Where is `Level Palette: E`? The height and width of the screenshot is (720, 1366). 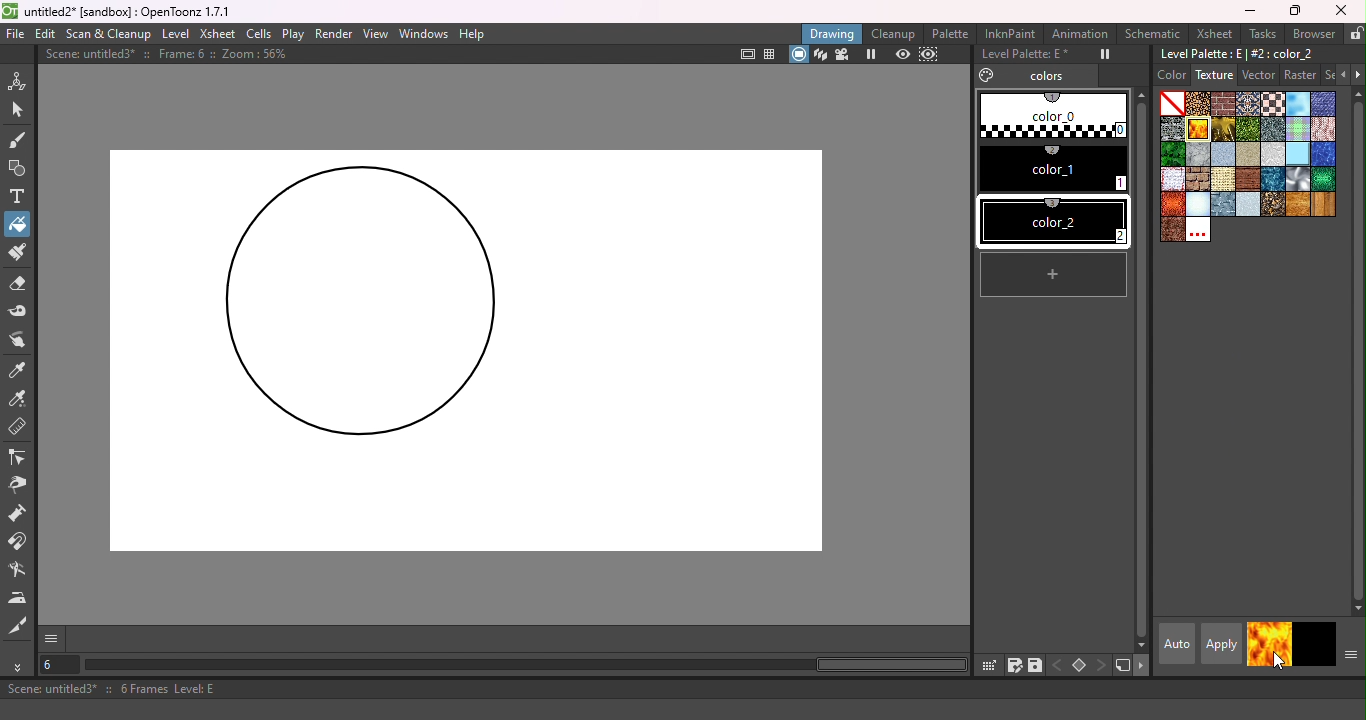 Level Palette: E is located at coordinates (1021, 55).